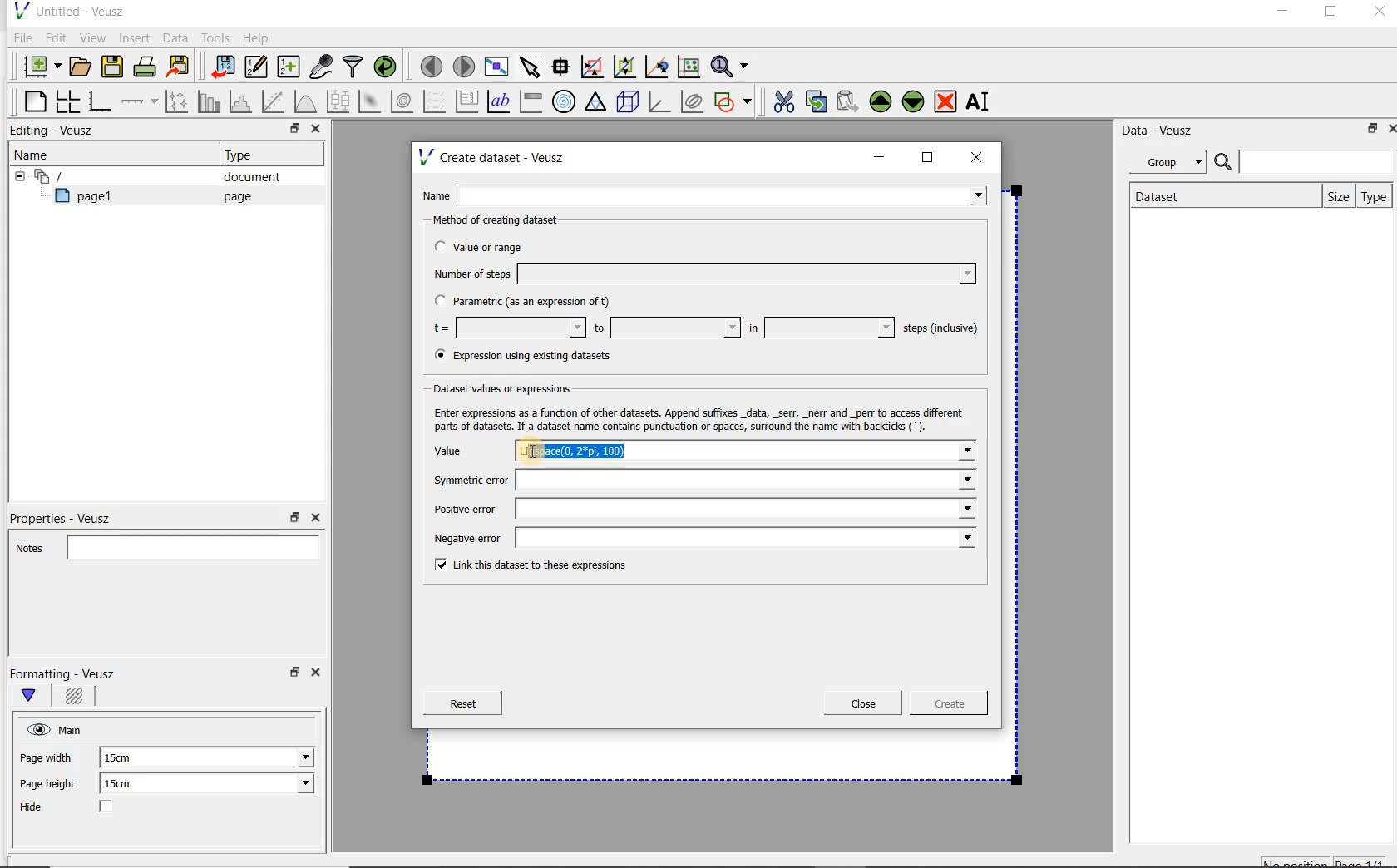 This screenshot has width=1397, height=868. I want to click on remove the selected widget, so click(946, 101).